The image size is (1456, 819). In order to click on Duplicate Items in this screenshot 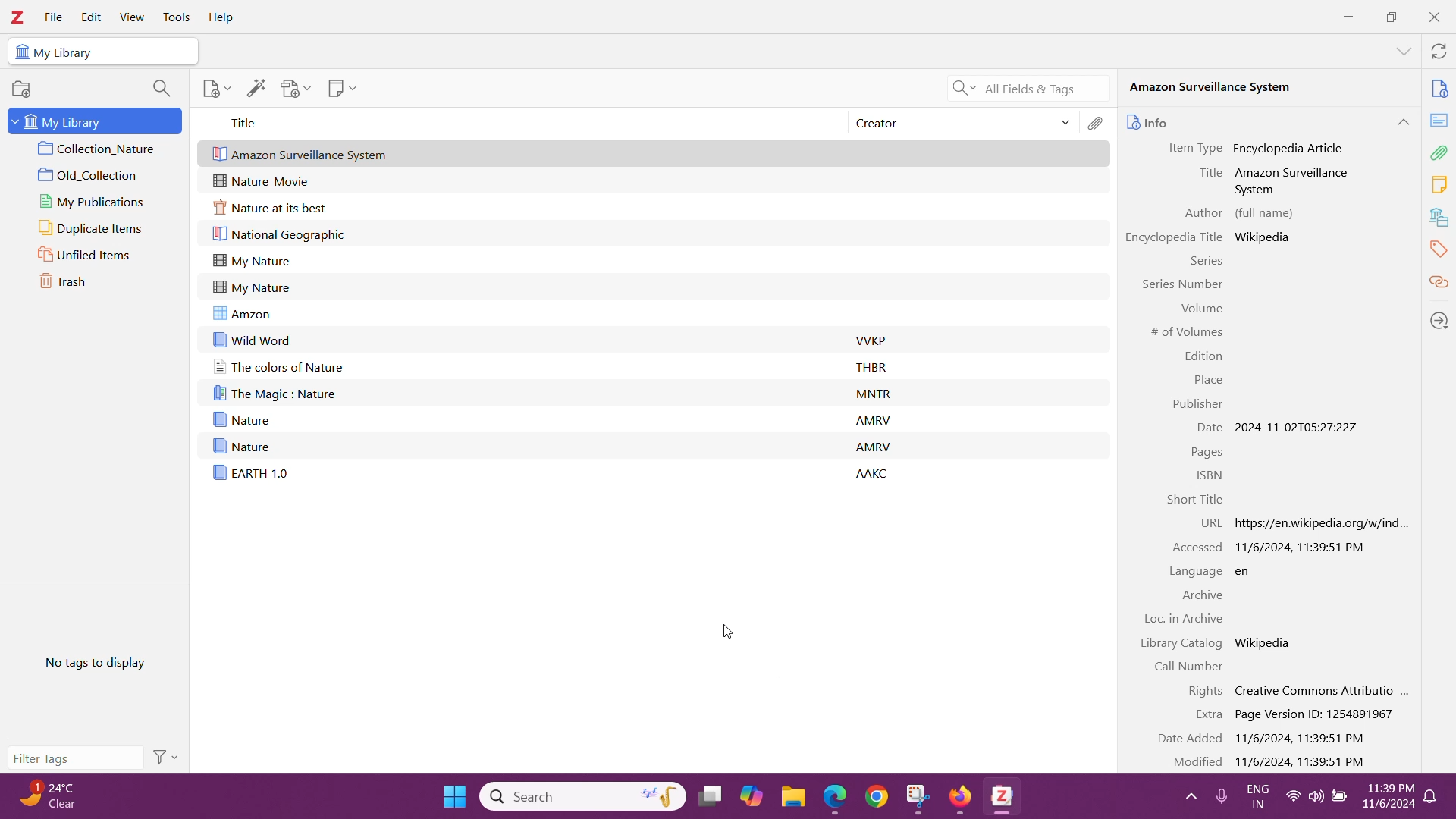, I will do `click(105, 227)`.